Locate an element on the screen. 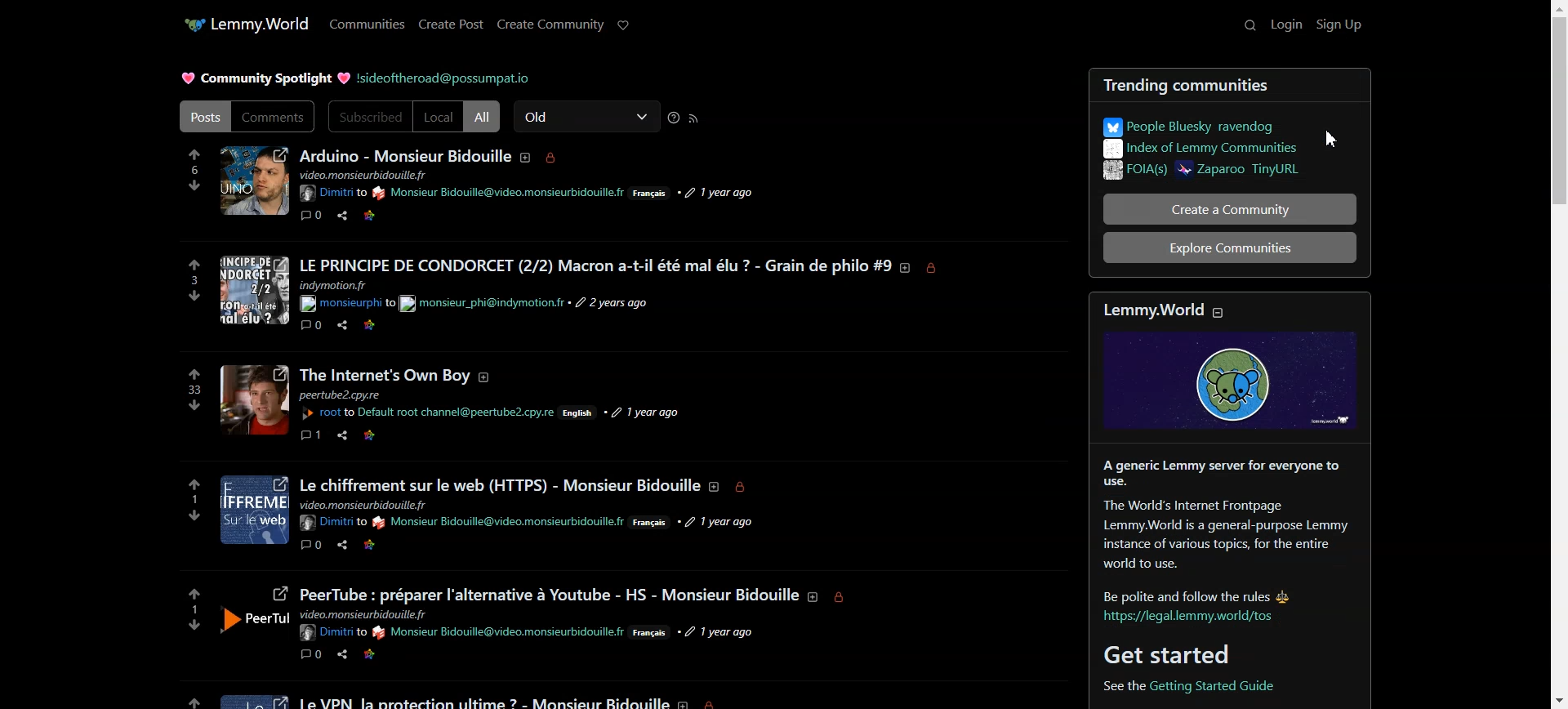 The image size is (1568, 709). Hyperlink is located at coordinates (334, 194).